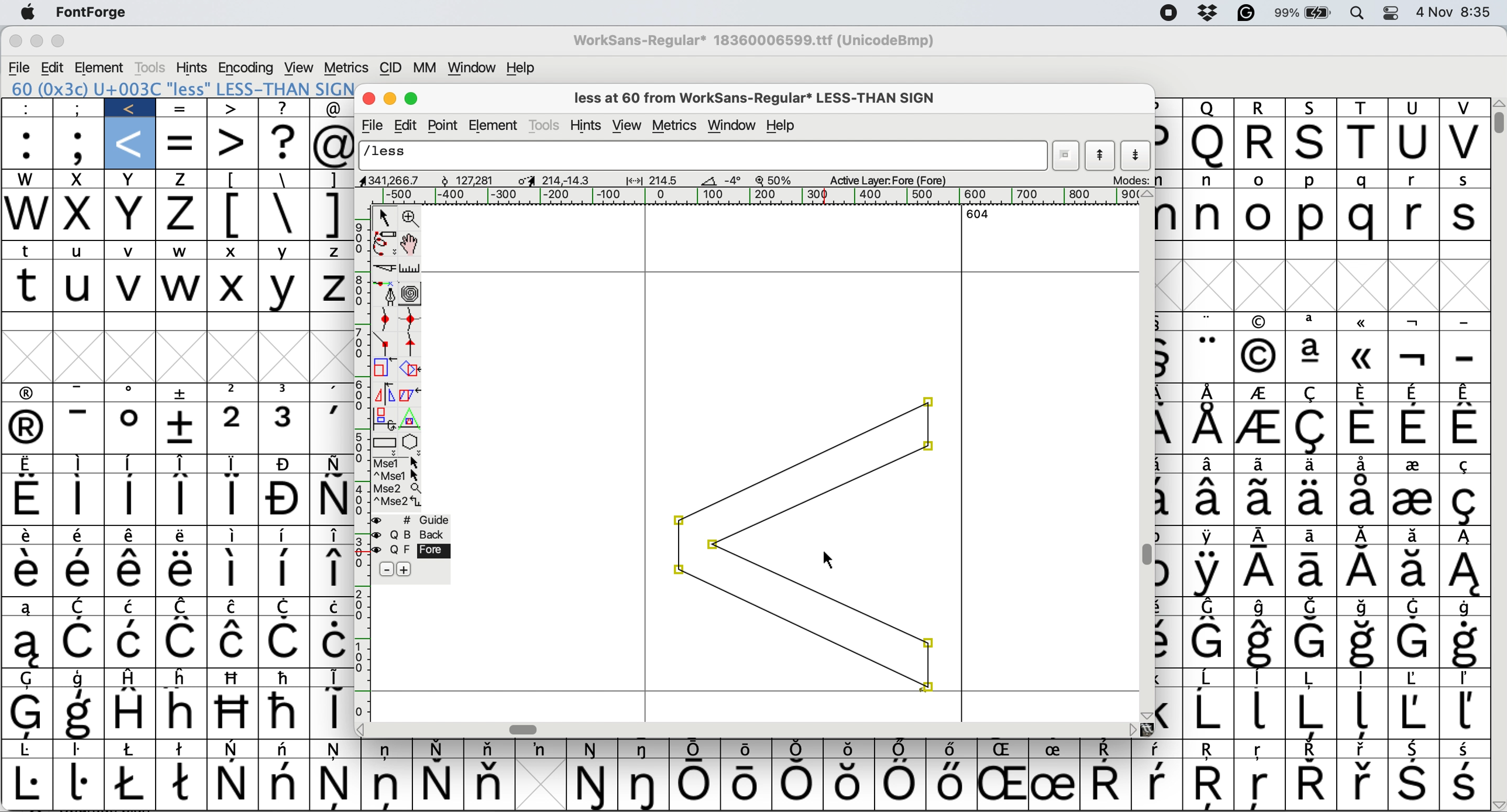 Image resolution: width=1507 pixels, height=812 pixels. What do you see at coordinates (1167, 574) in the screenshot?
I see `symbol` at bounding box center [1167, 574].